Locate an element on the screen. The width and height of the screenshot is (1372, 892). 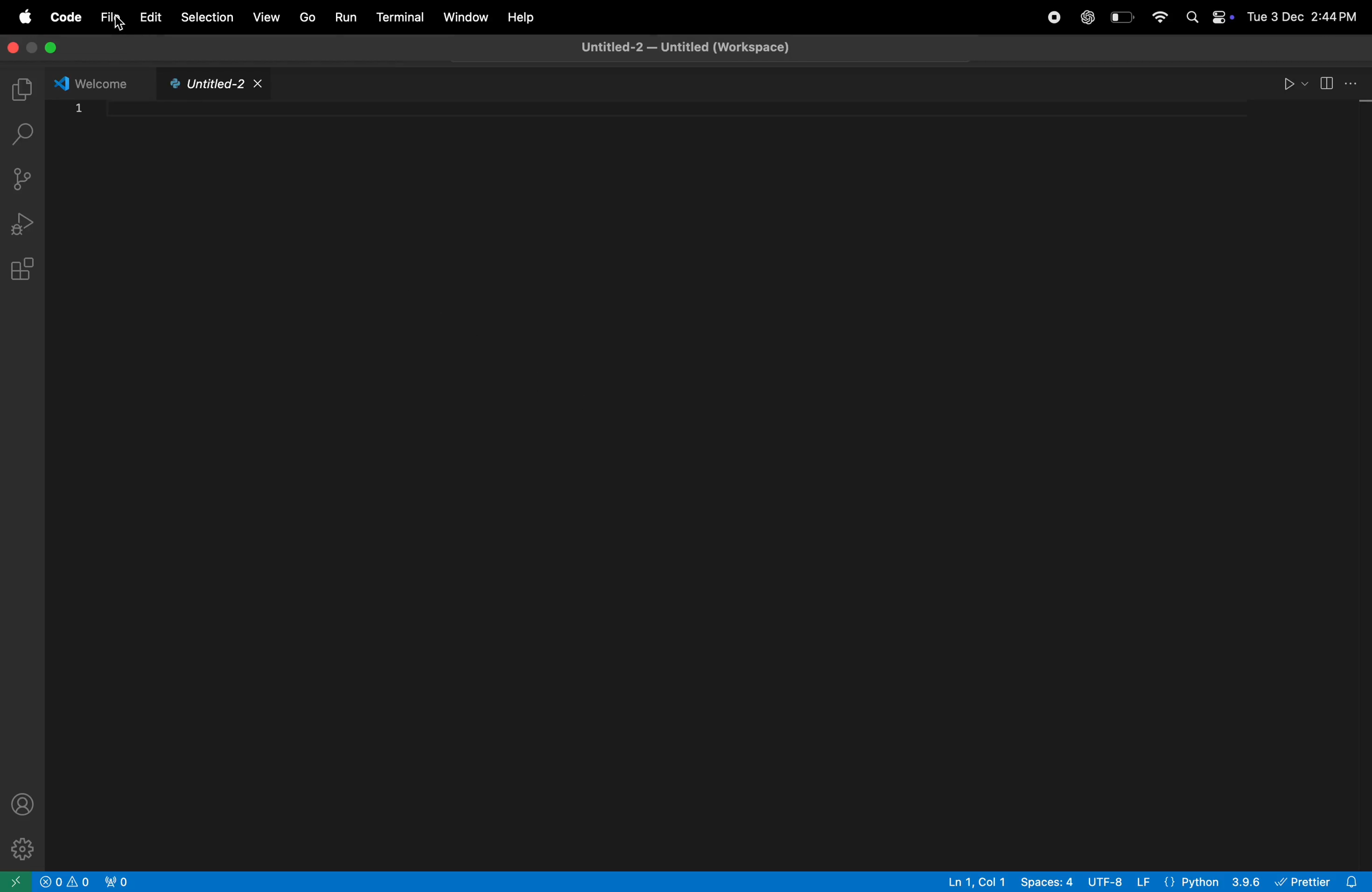
line col 4 is located at coordinates (979, 882).